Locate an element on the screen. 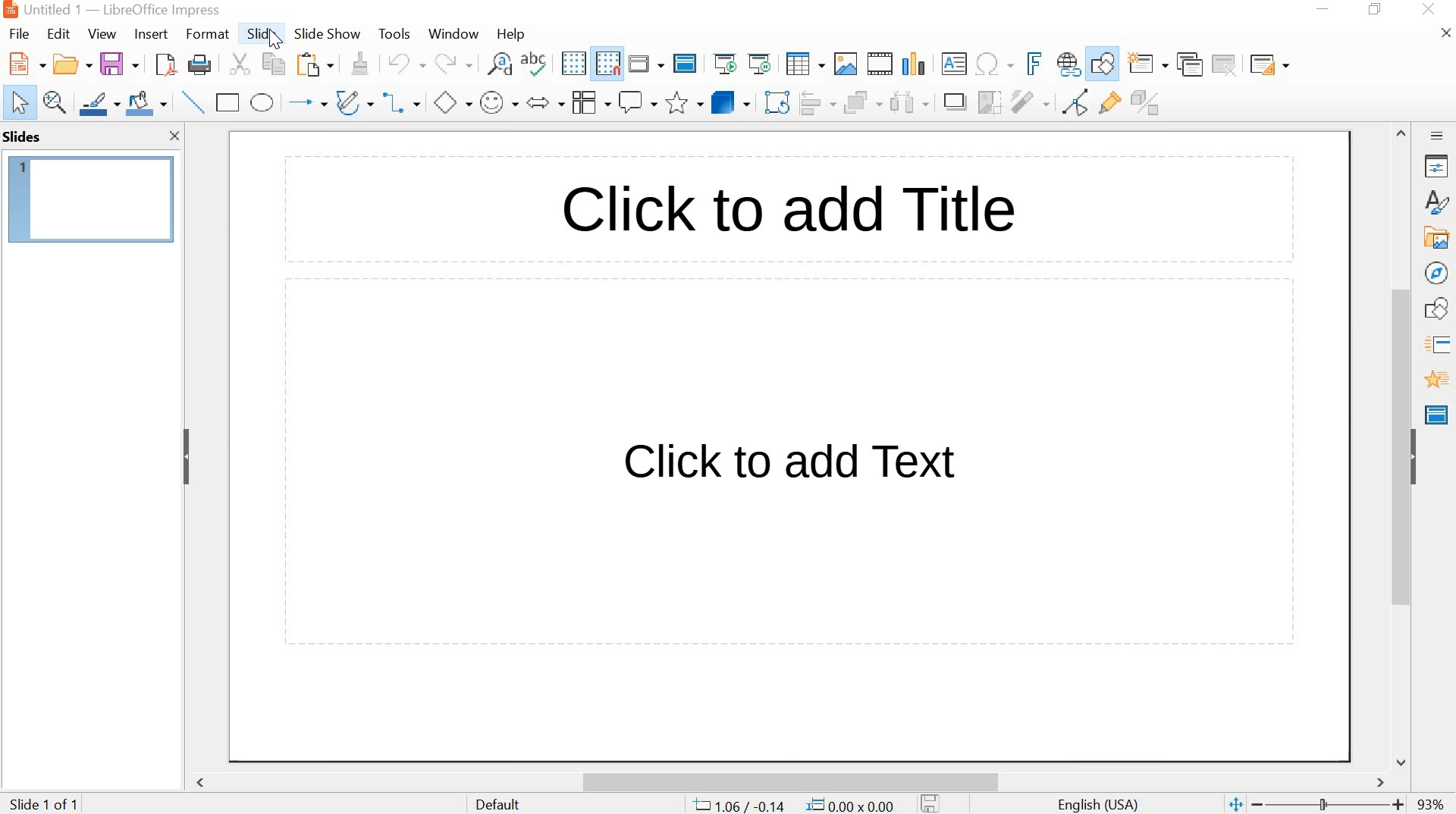  SAVE is located at coordinates (120, 61).